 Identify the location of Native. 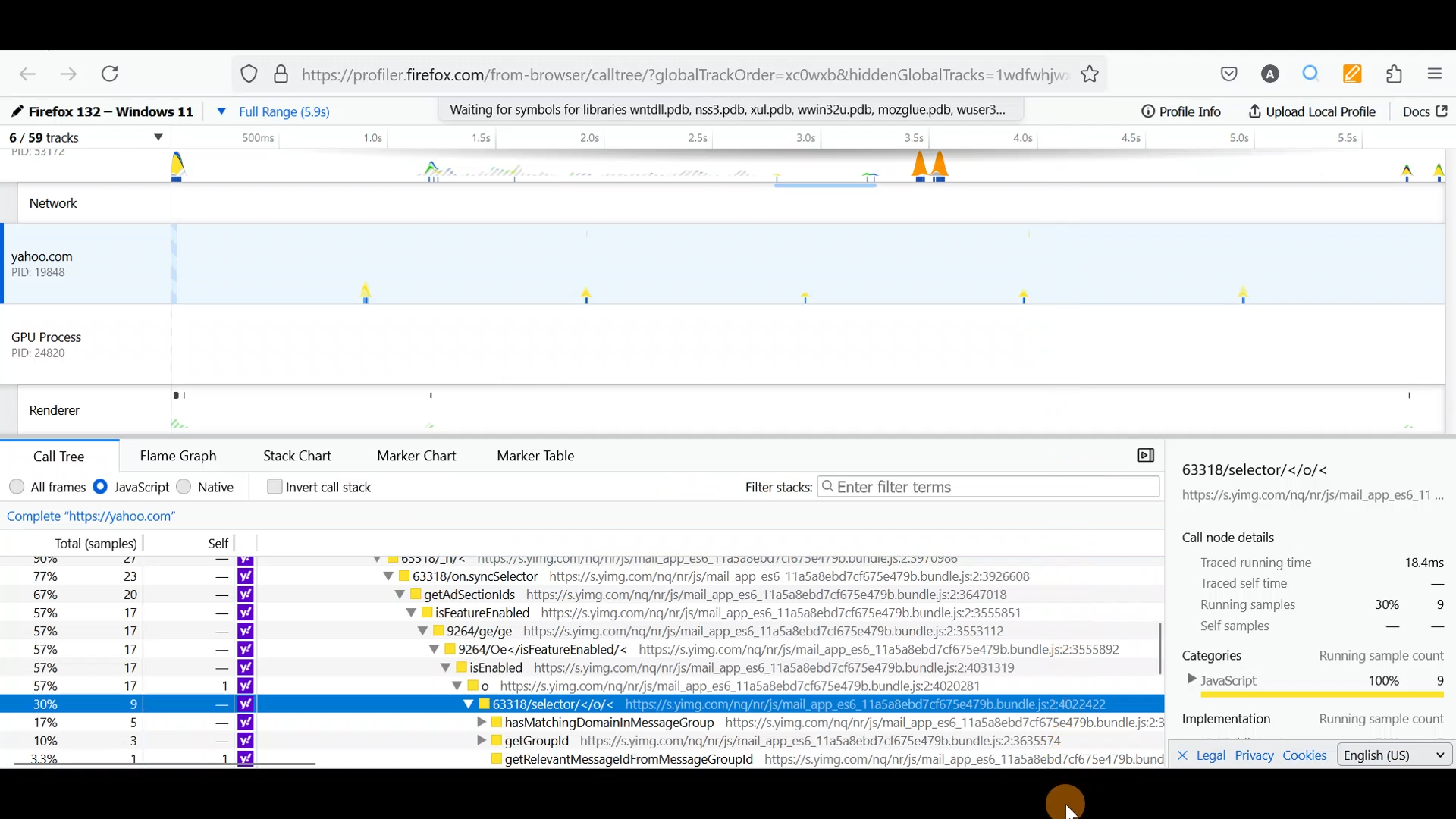
(209, 489).